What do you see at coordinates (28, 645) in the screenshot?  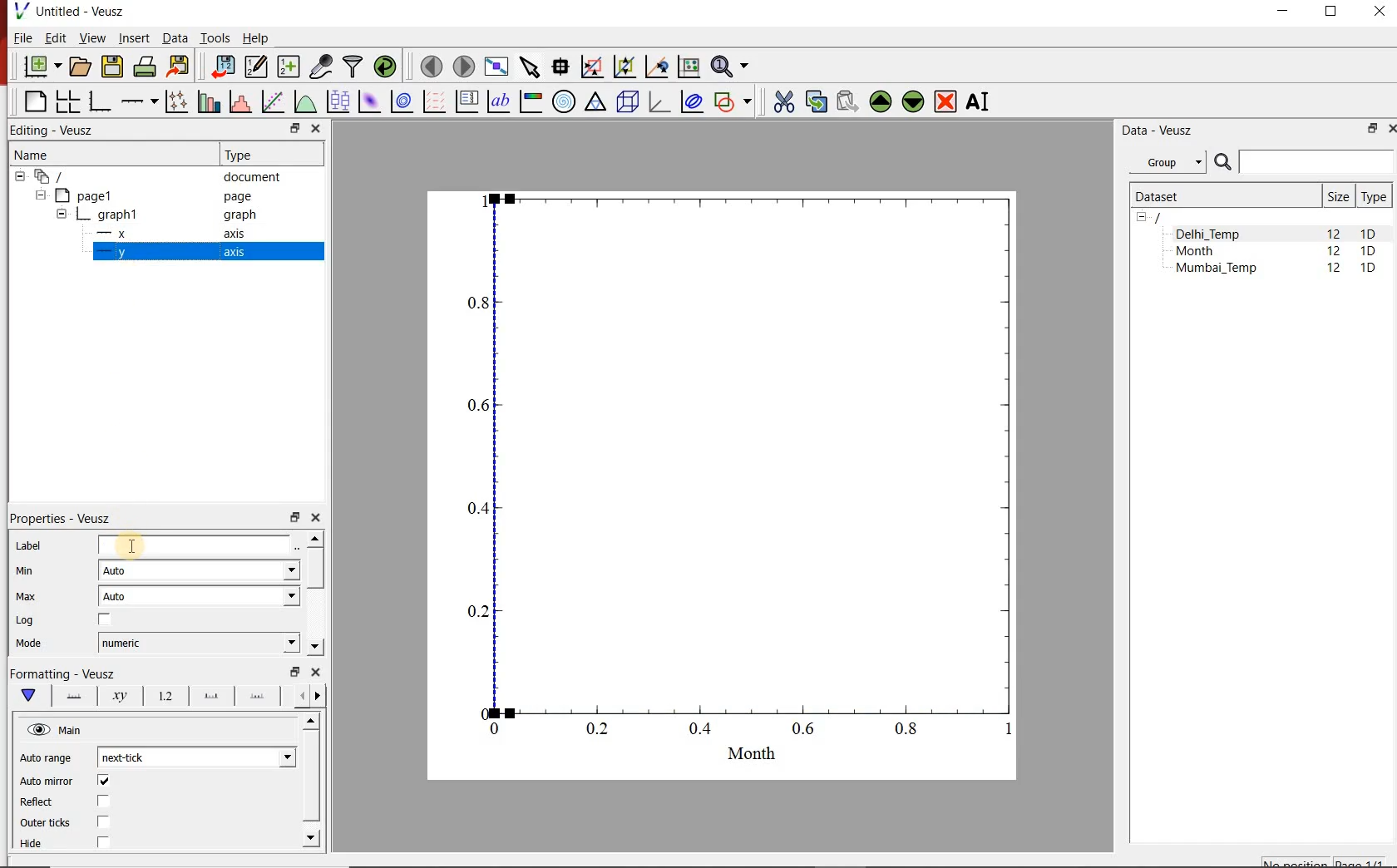 I see `Mode` at bounding box center [28, 645].